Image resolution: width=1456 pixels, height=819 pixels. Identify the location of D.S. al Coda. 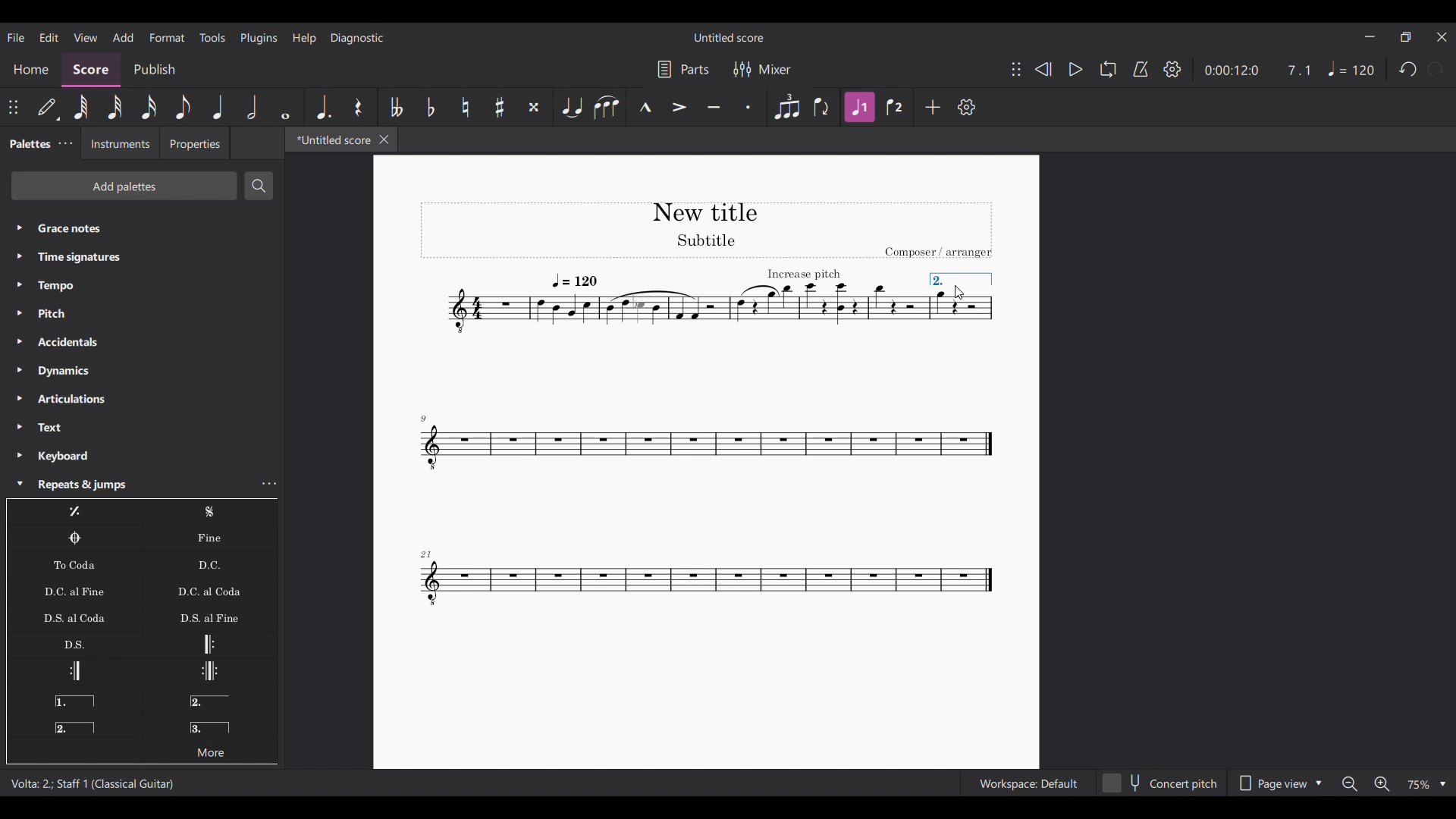
(74, 617).